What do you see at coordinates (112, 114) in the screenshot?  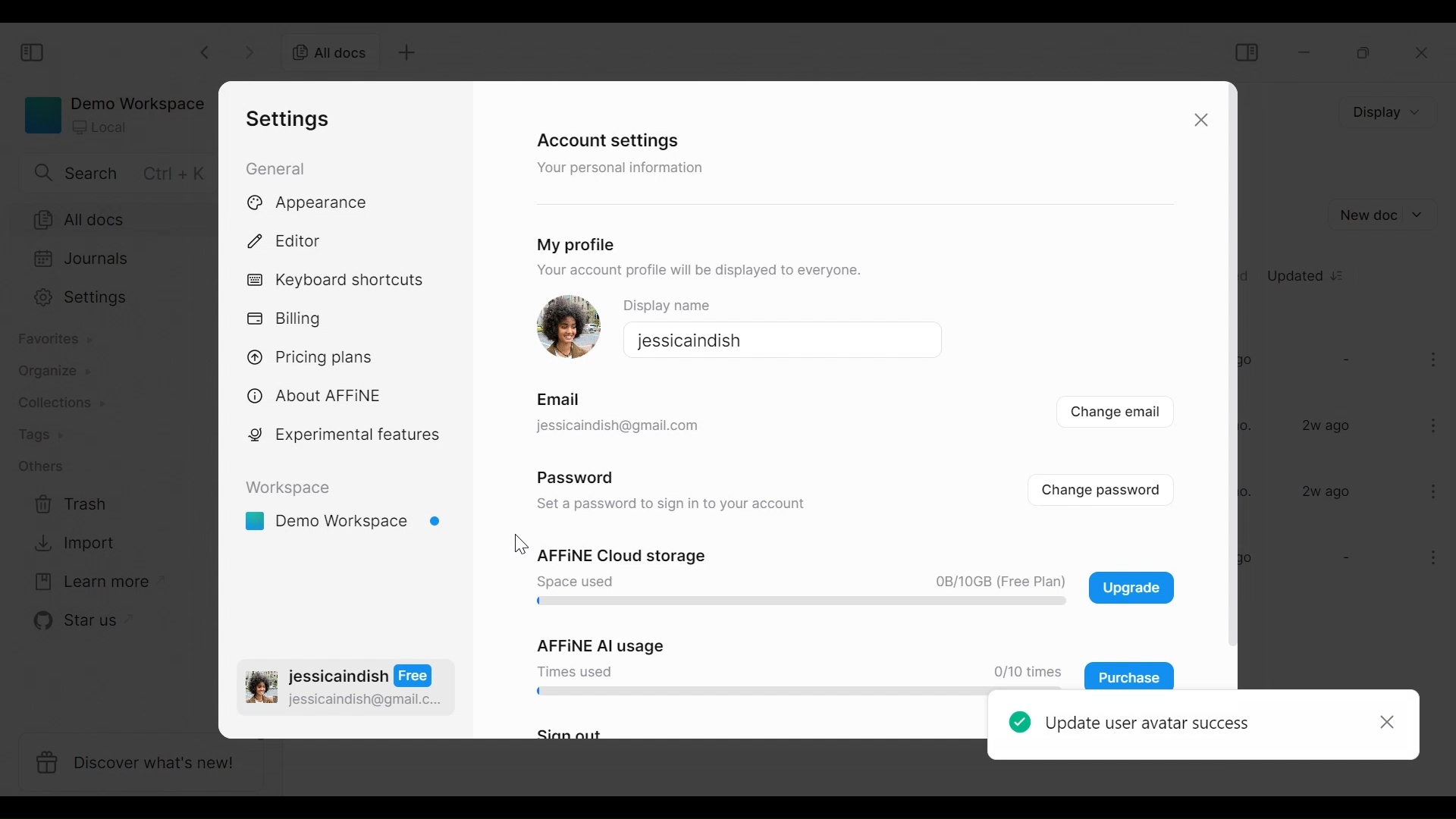 I see `Demo workspace` at bounding box center [112, 114].